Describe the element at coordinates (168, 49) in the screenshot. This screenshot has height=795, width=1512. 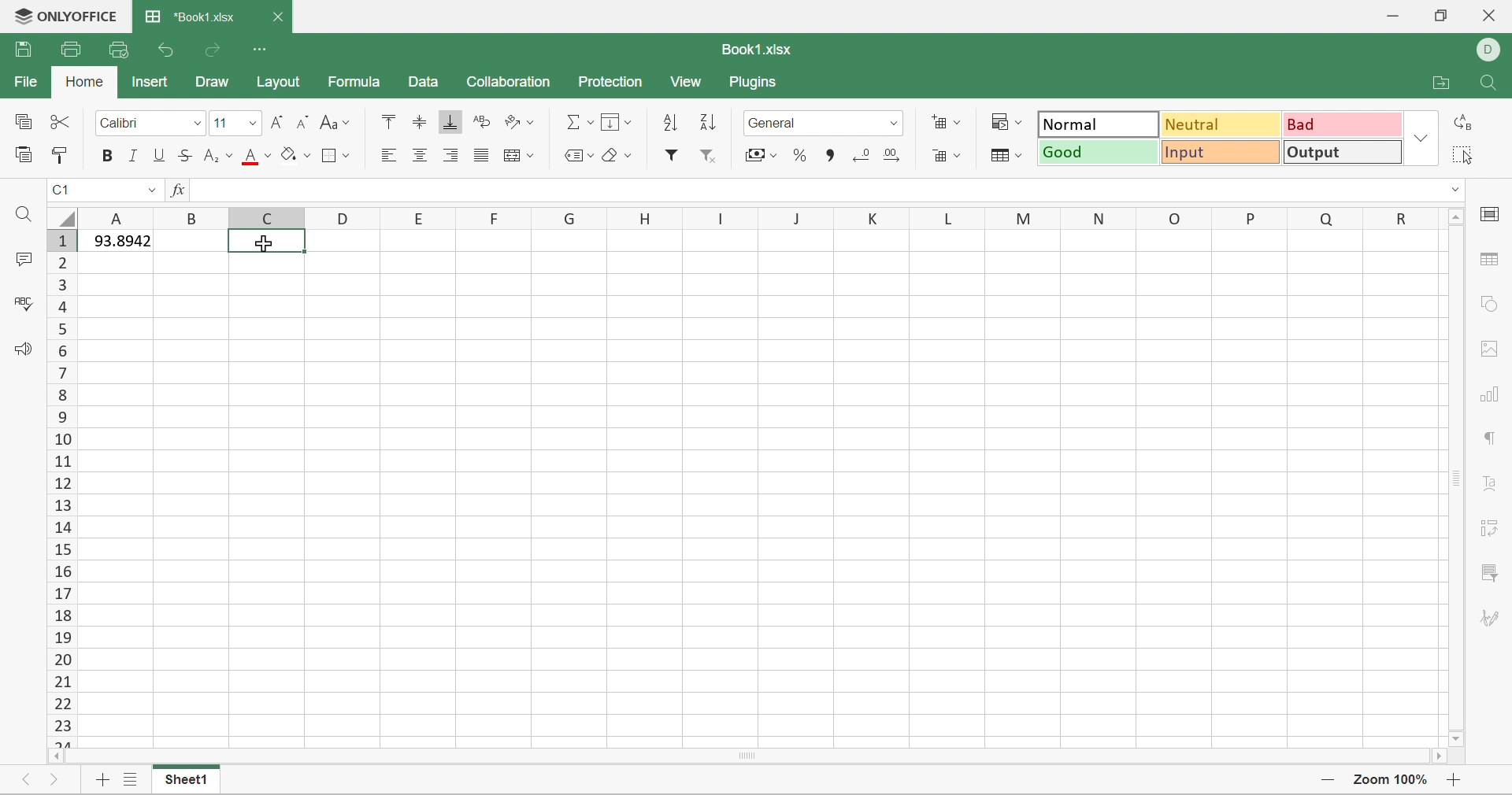
I see `Undo` at that location.